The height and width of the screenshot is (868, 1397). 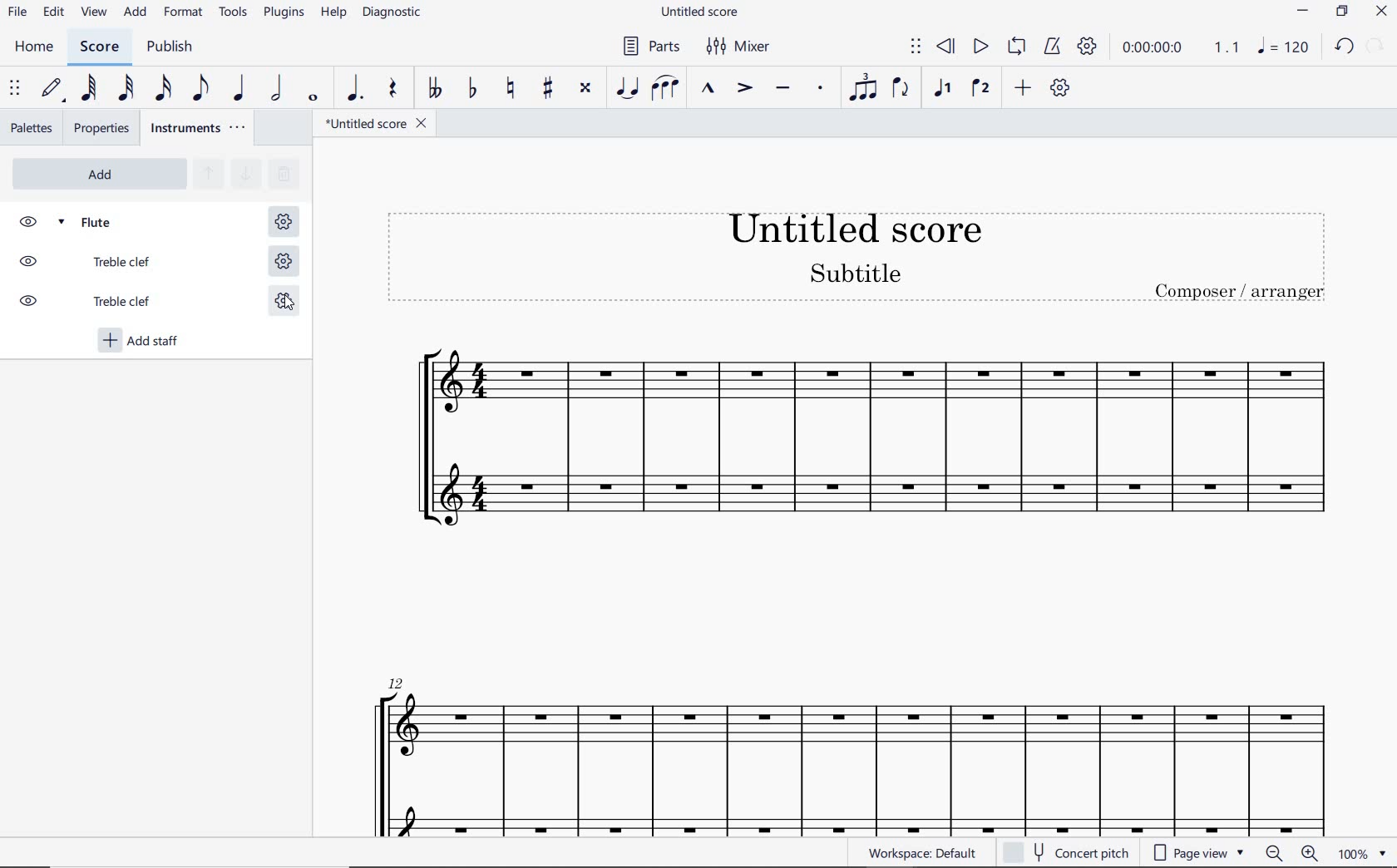 What do you see at coordinates (38, 49) in the screenshot?
I see `home` at bounding box center [38, 49].